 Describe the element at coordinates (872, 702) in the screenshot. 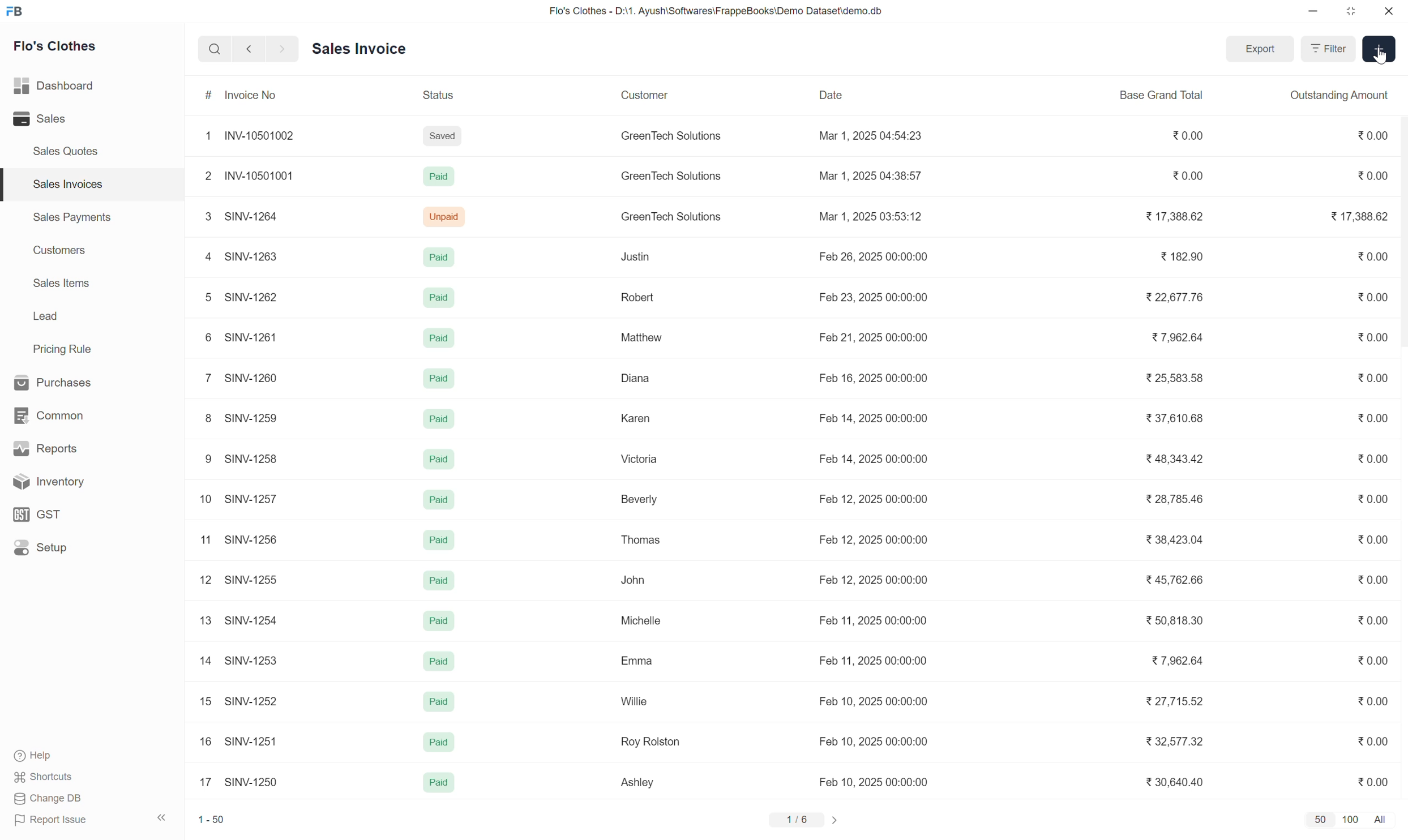

I see `Feb 10, 2025 00:00:00` at that location.